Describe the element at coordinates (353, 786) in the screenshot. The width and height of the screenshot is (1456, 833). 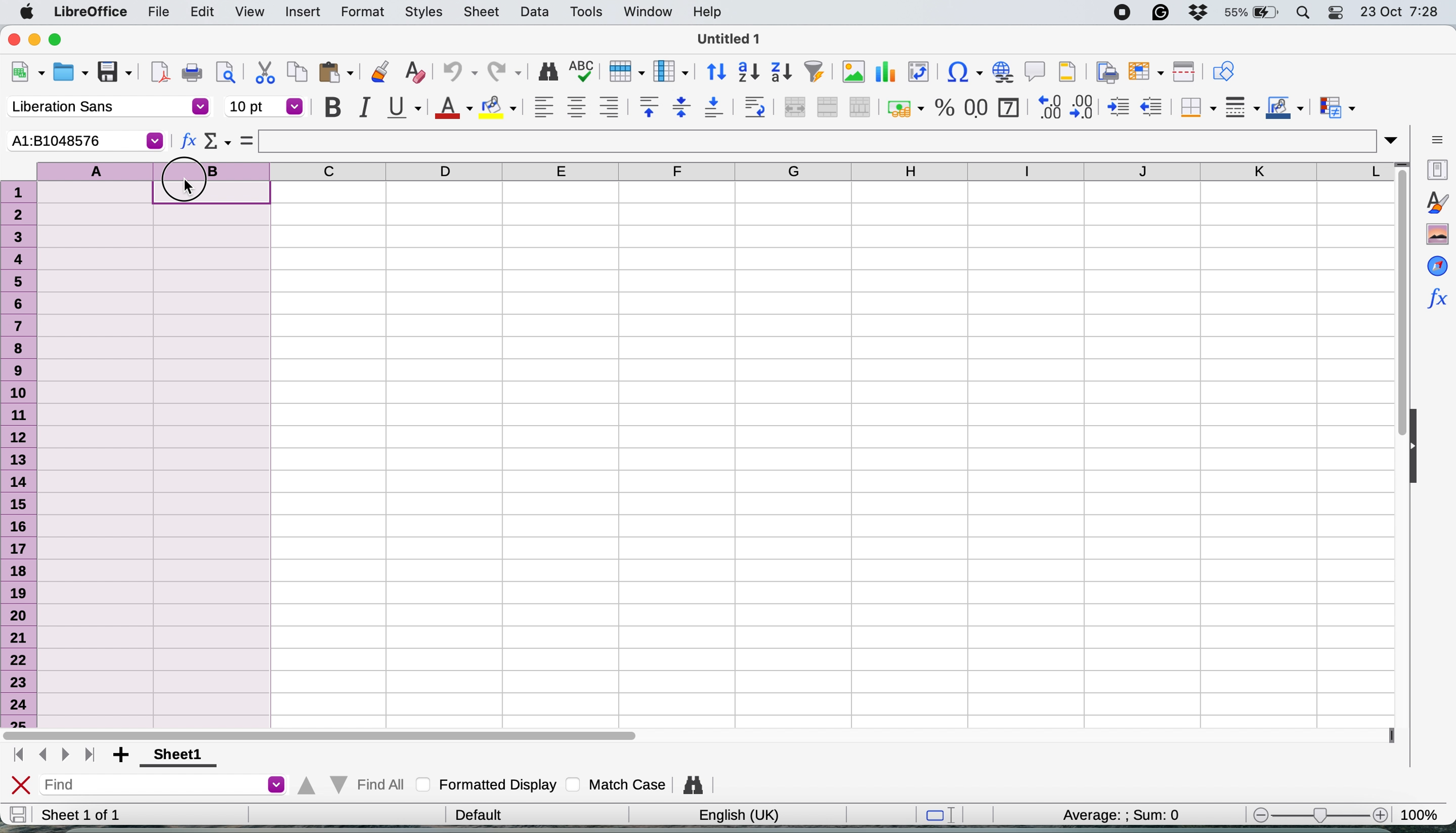
I see `find all` at that location.